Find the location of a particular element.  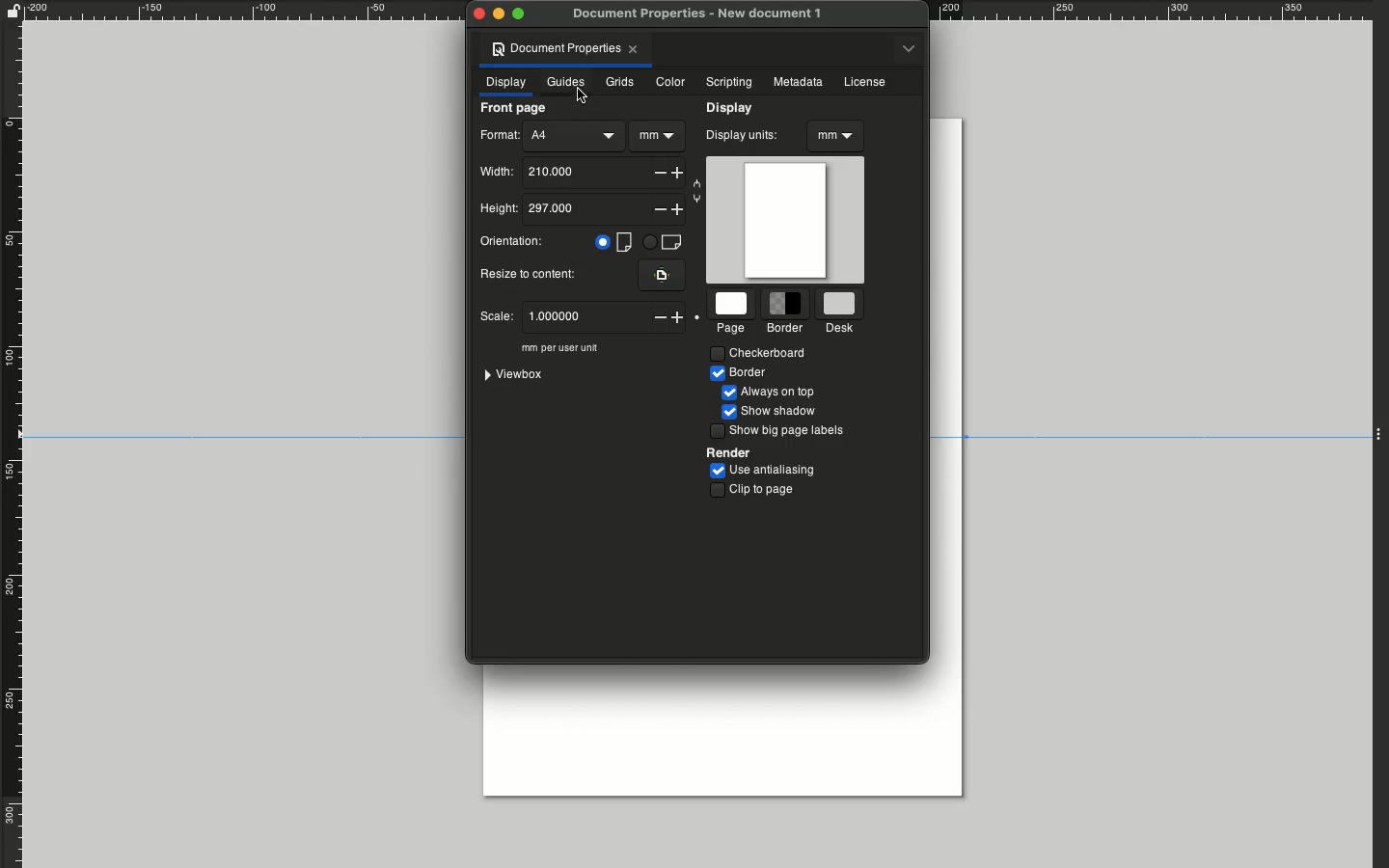

Use antialiasing is located at coordinates (761, 470).